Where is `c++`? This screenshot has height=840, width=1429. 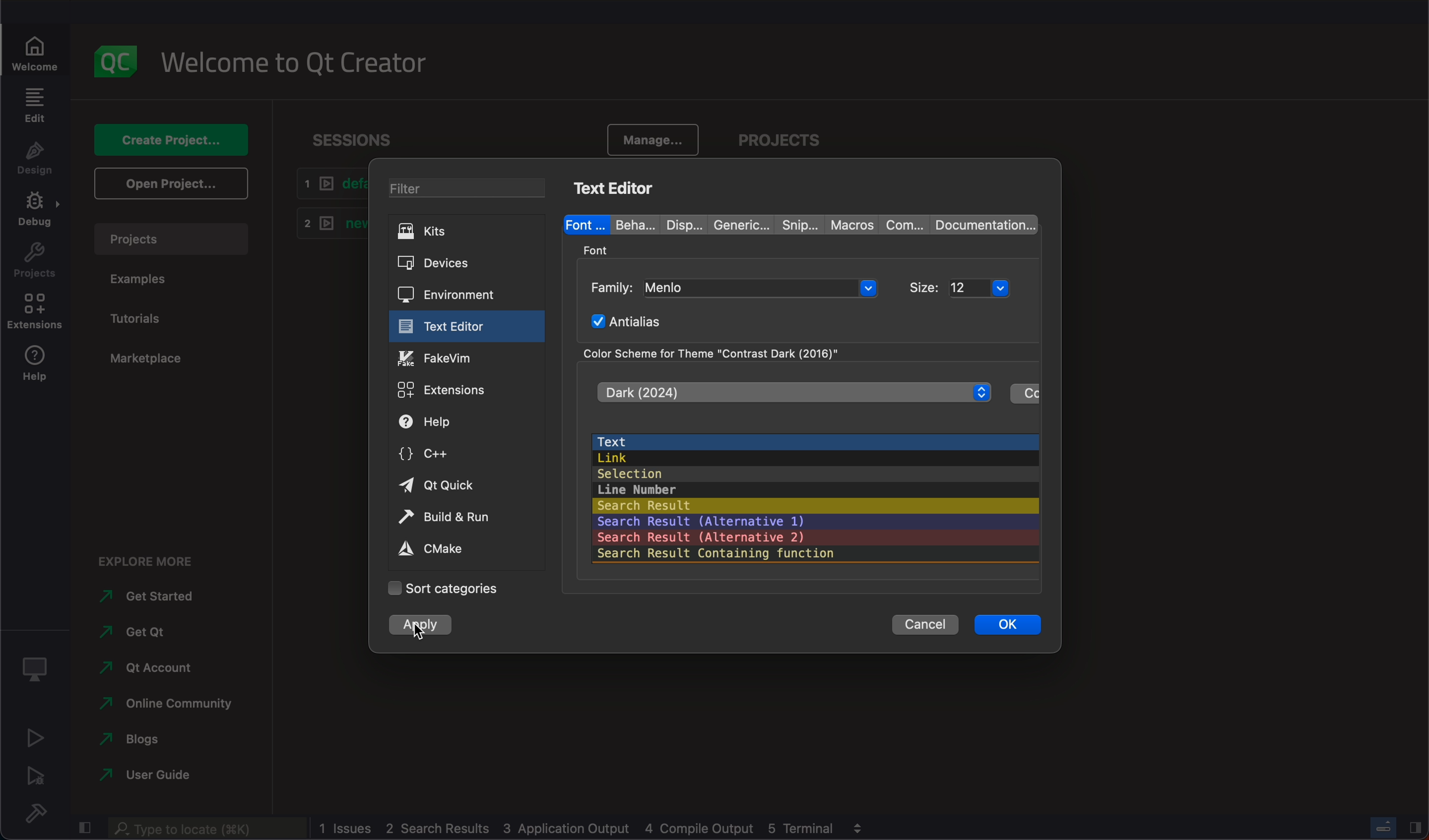
c++ is located at coordinates (466, 457).